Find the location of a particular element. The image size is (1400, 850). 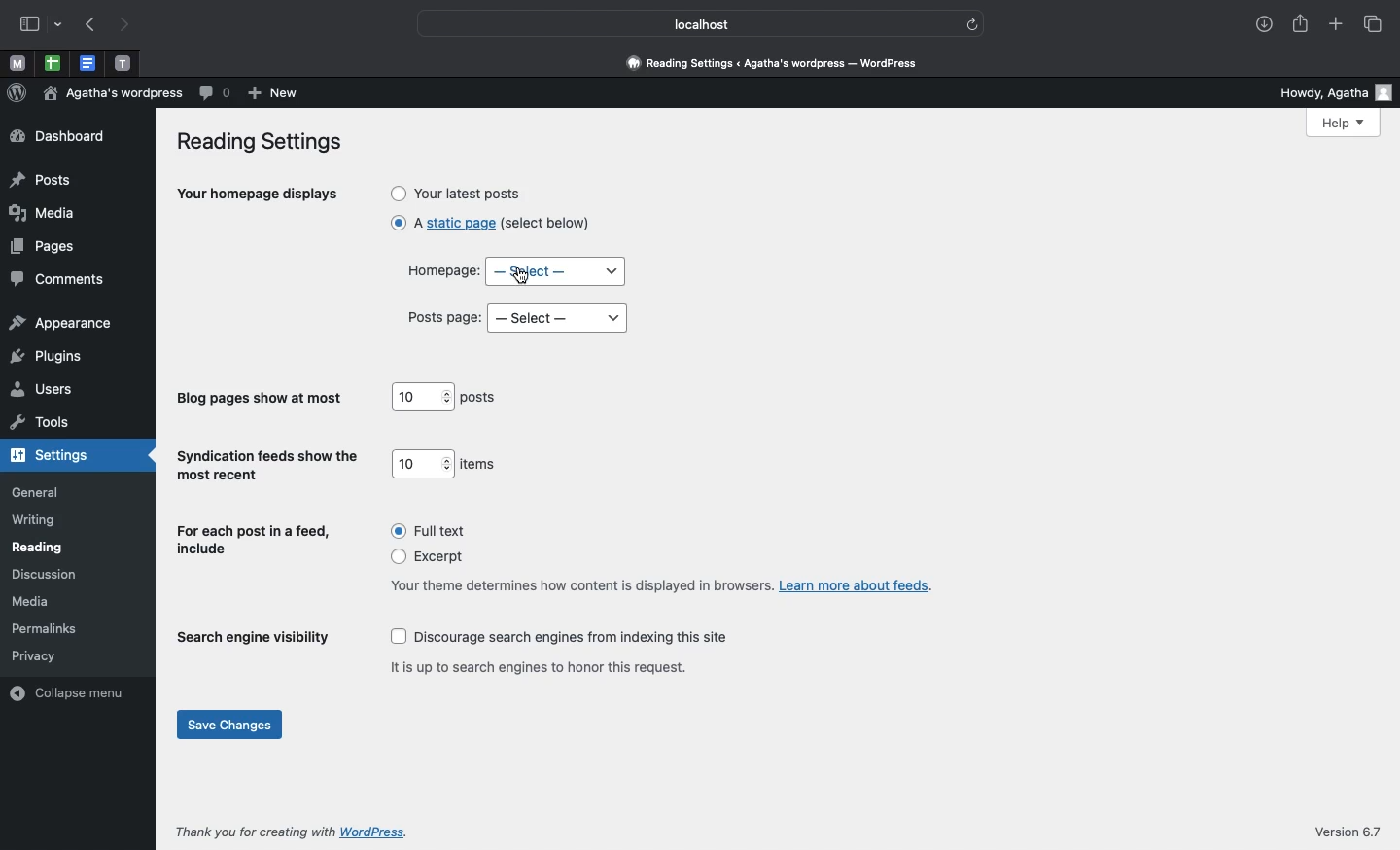

Wordpress is located at coordinates (17, 91).